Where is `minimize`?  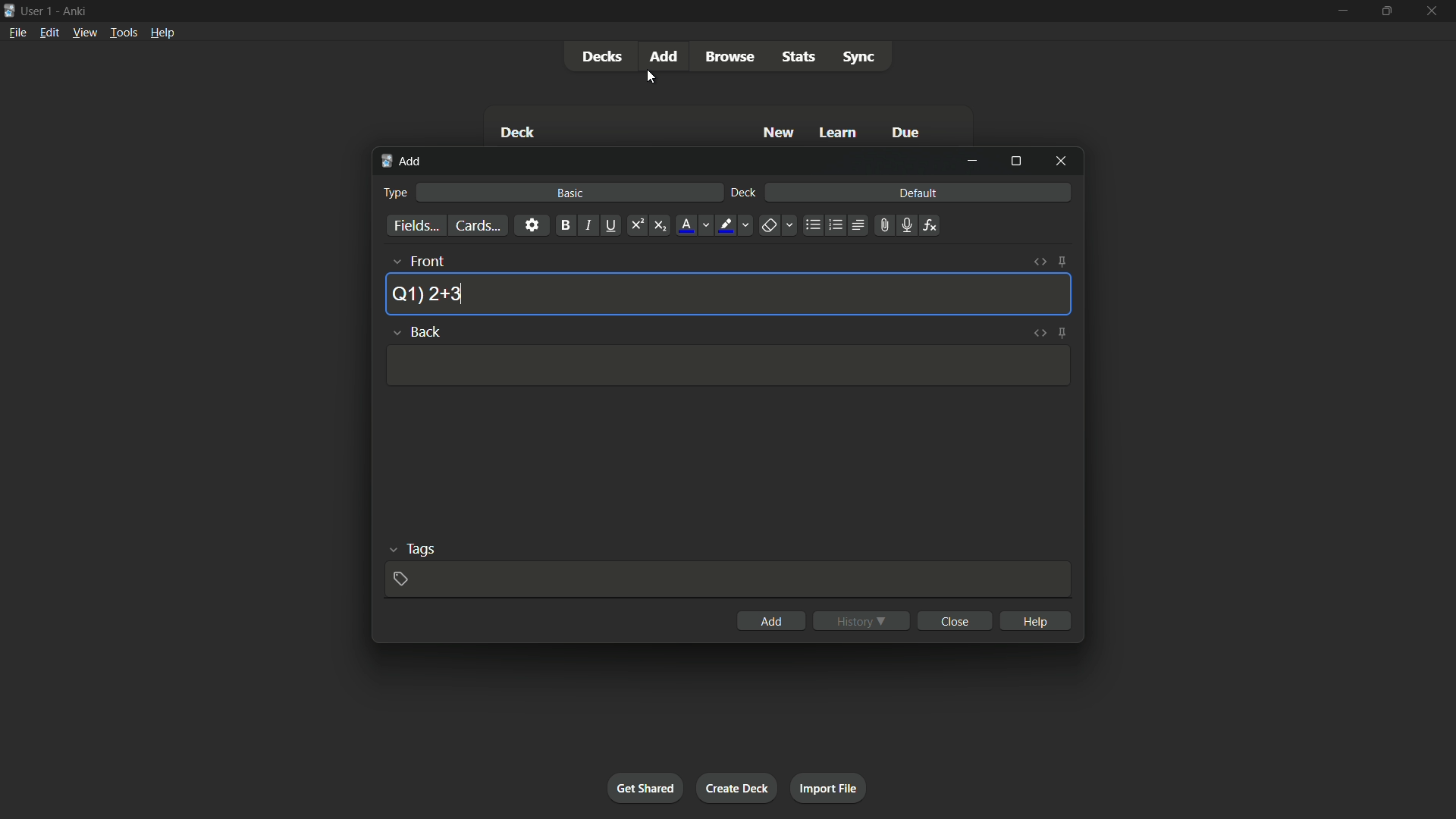
minimize is located at coordinates (972, 161).